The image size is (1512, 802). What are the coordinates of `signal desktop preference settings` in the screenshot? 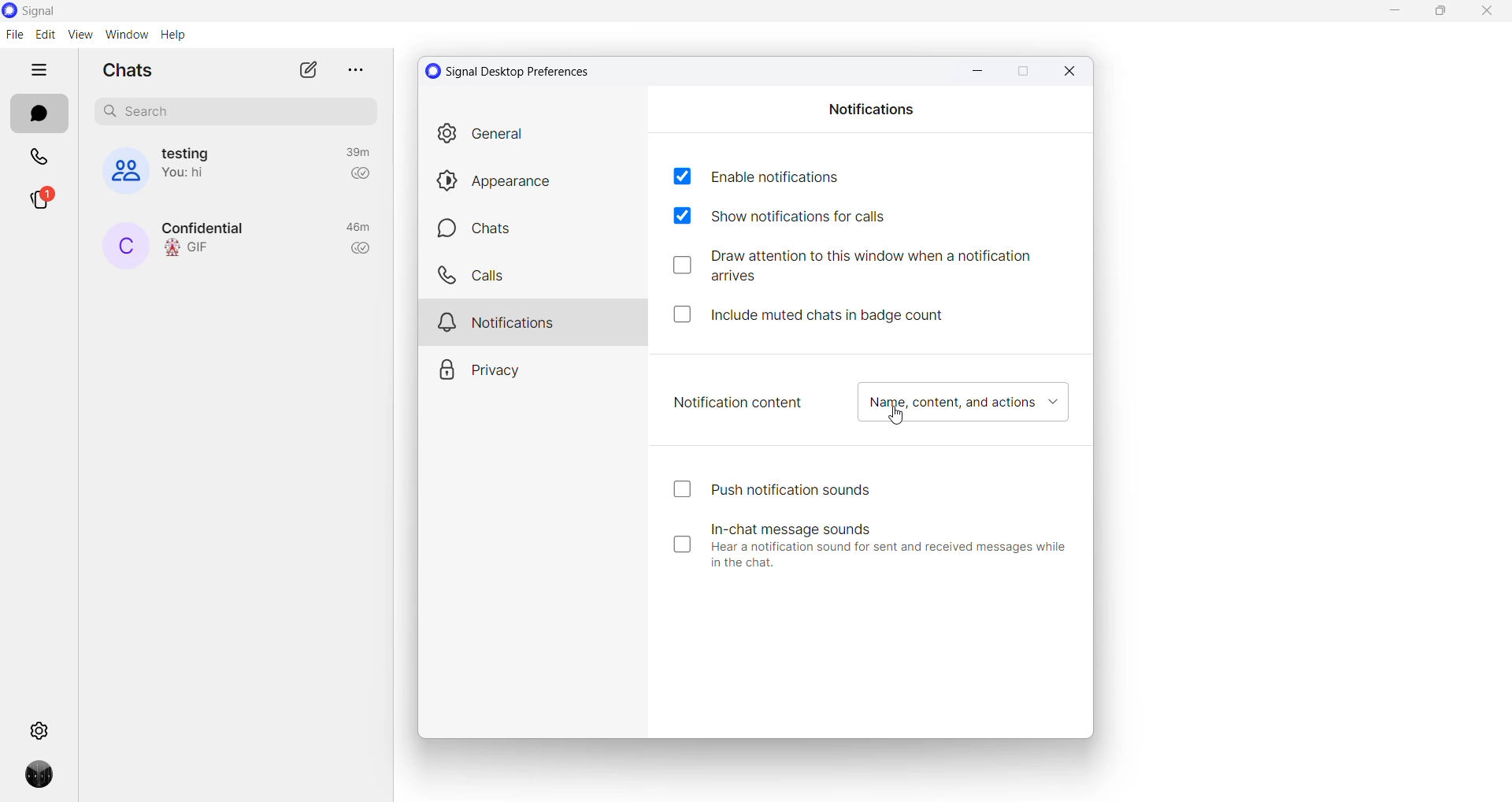 It's located at (517, 71).